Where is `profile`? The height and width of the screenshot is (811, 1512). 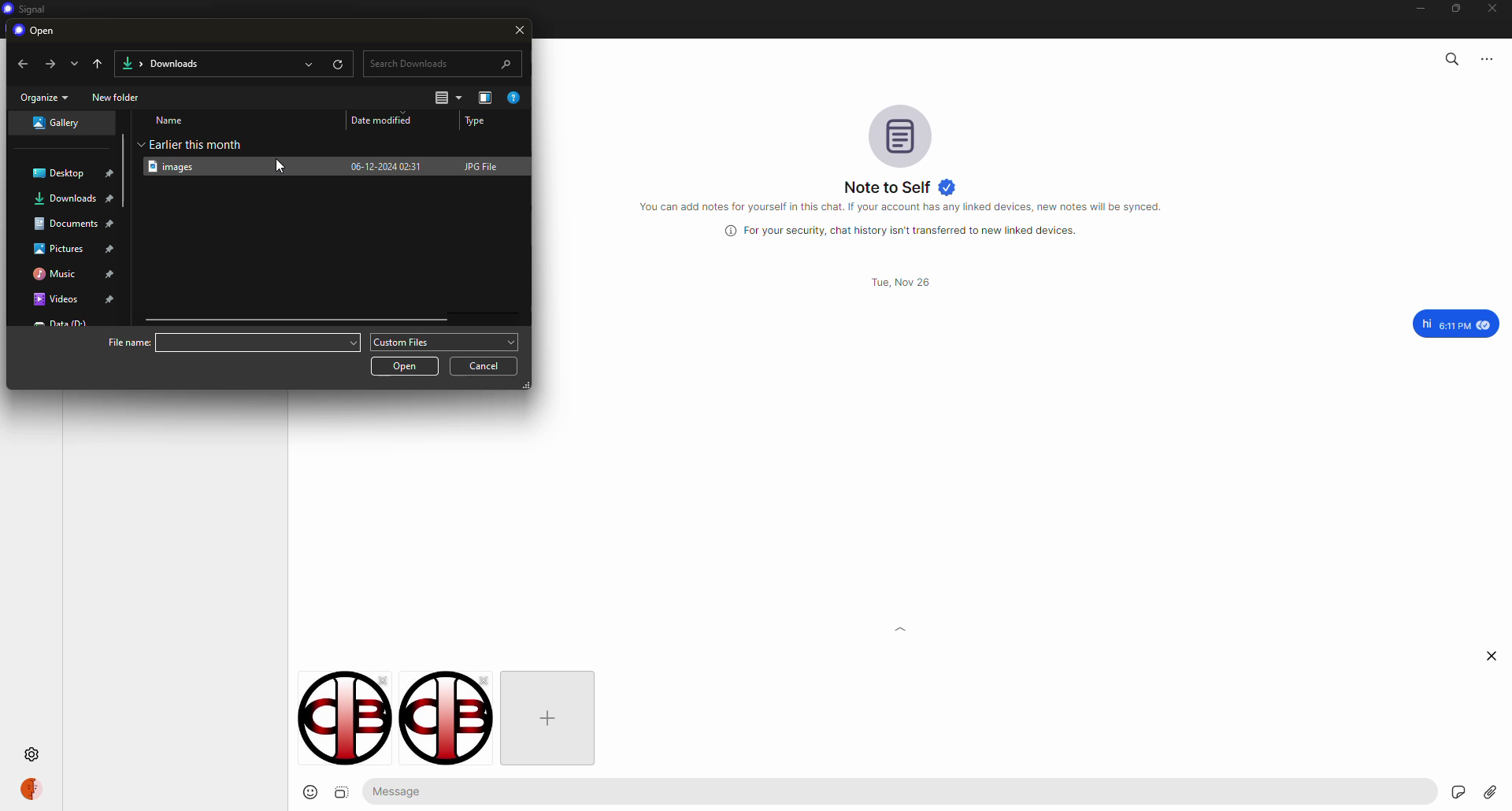 profile is located at coordinates (31, 788).